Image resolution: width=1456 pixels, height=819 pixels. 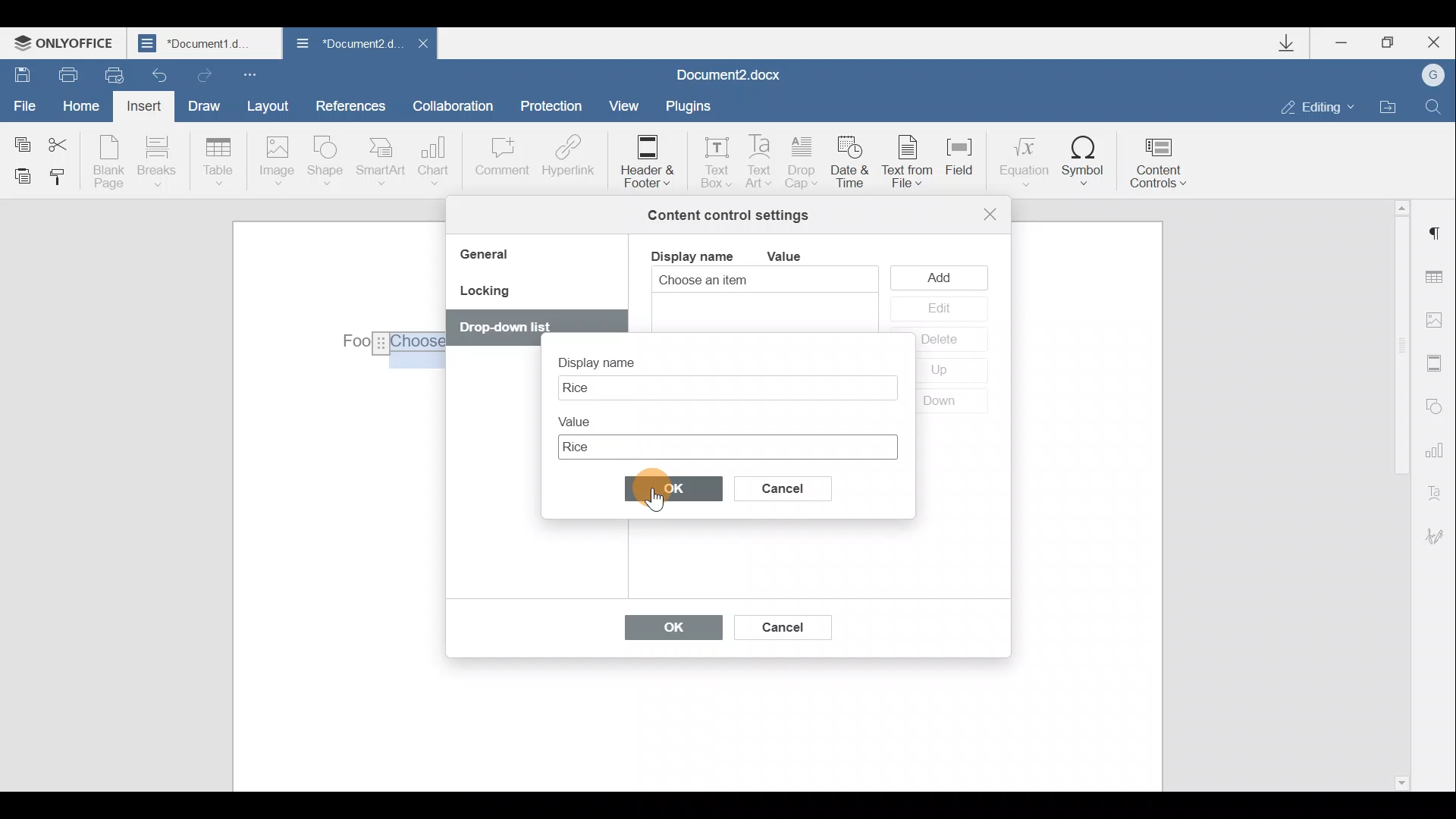 What do you see at coordinates (146, 109) in the screenshot?
I see `Insert` at bounding box center [146, 109].